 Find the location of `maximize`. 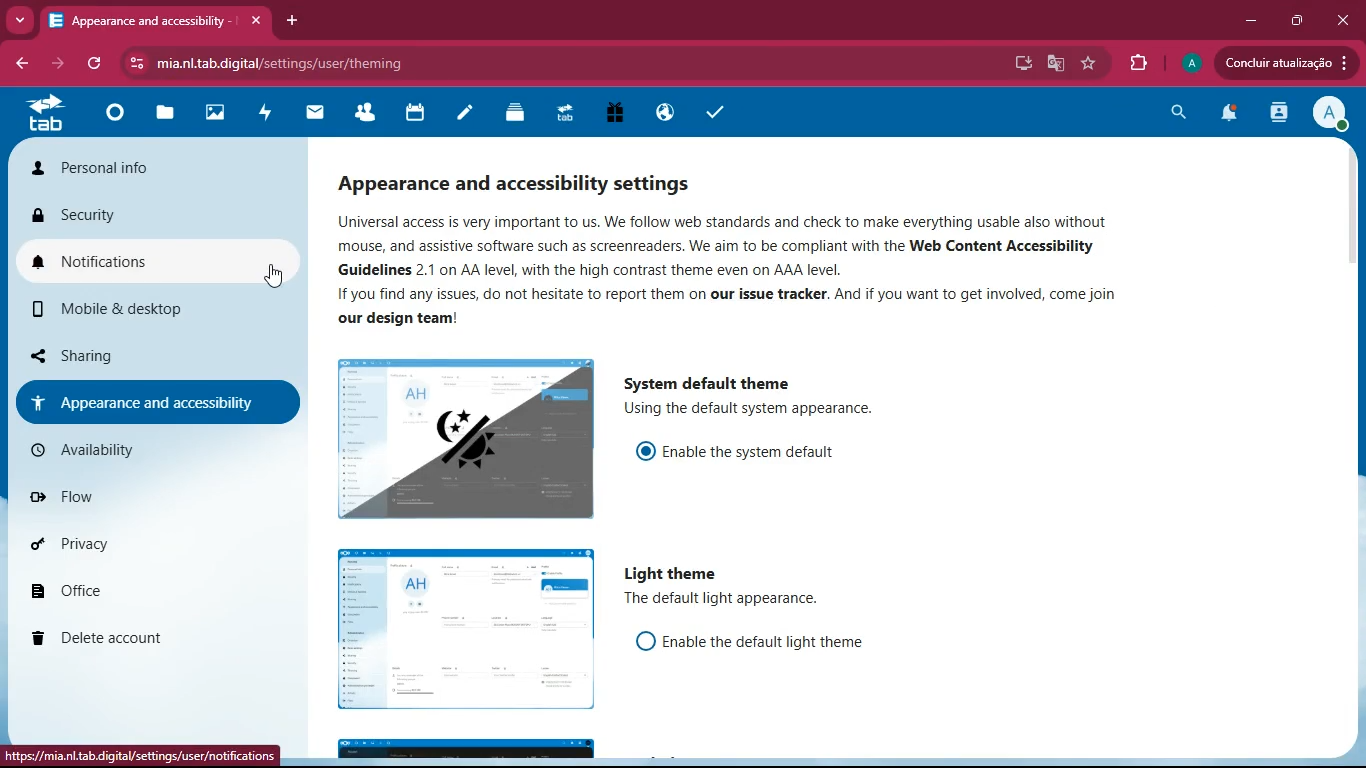

maximize is located at coordinates (1296, 20).